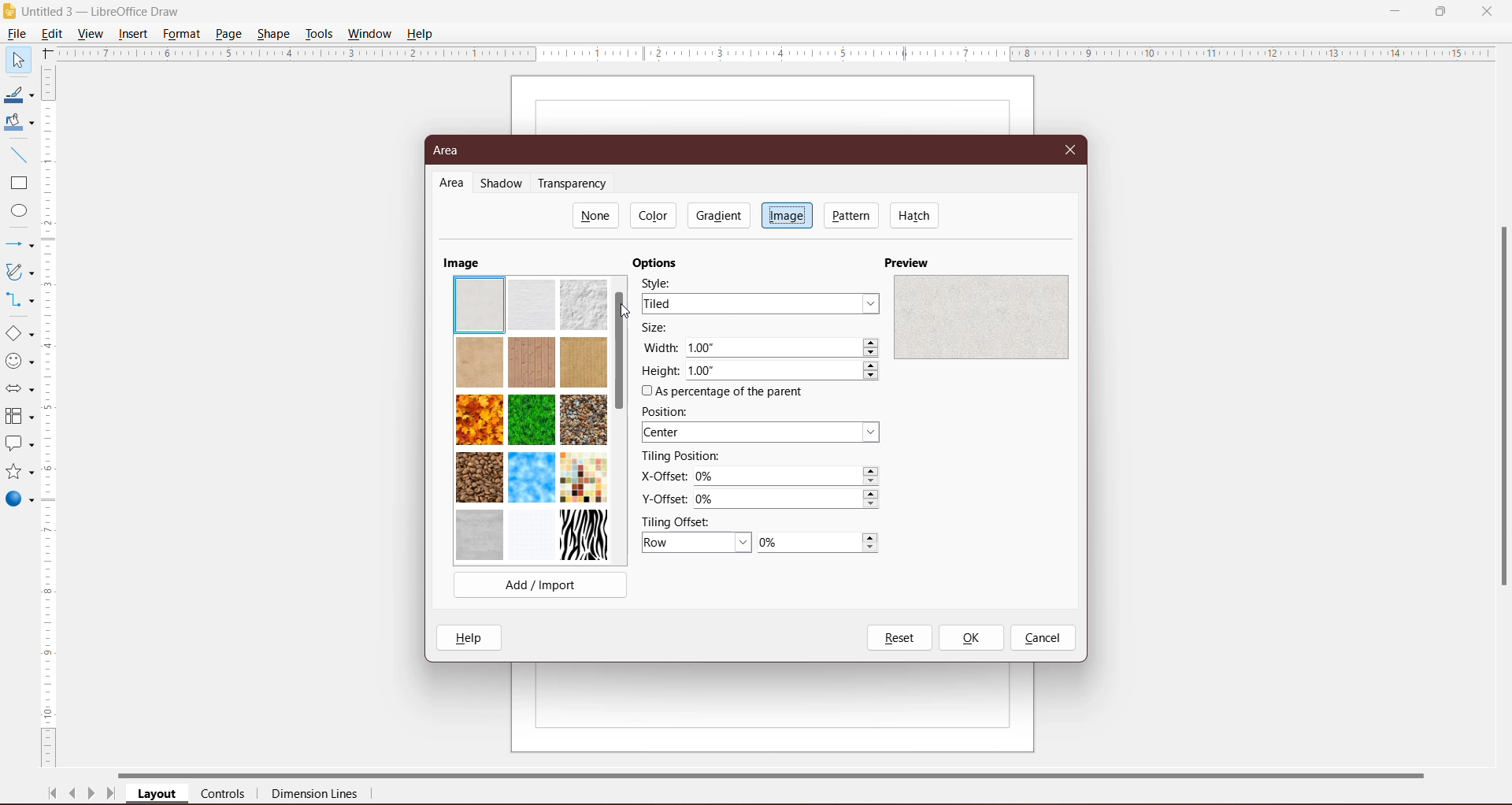 This screenshot has width=1512, height=805. I want to click on Vertical Scroll Bar, so click(50, 417).